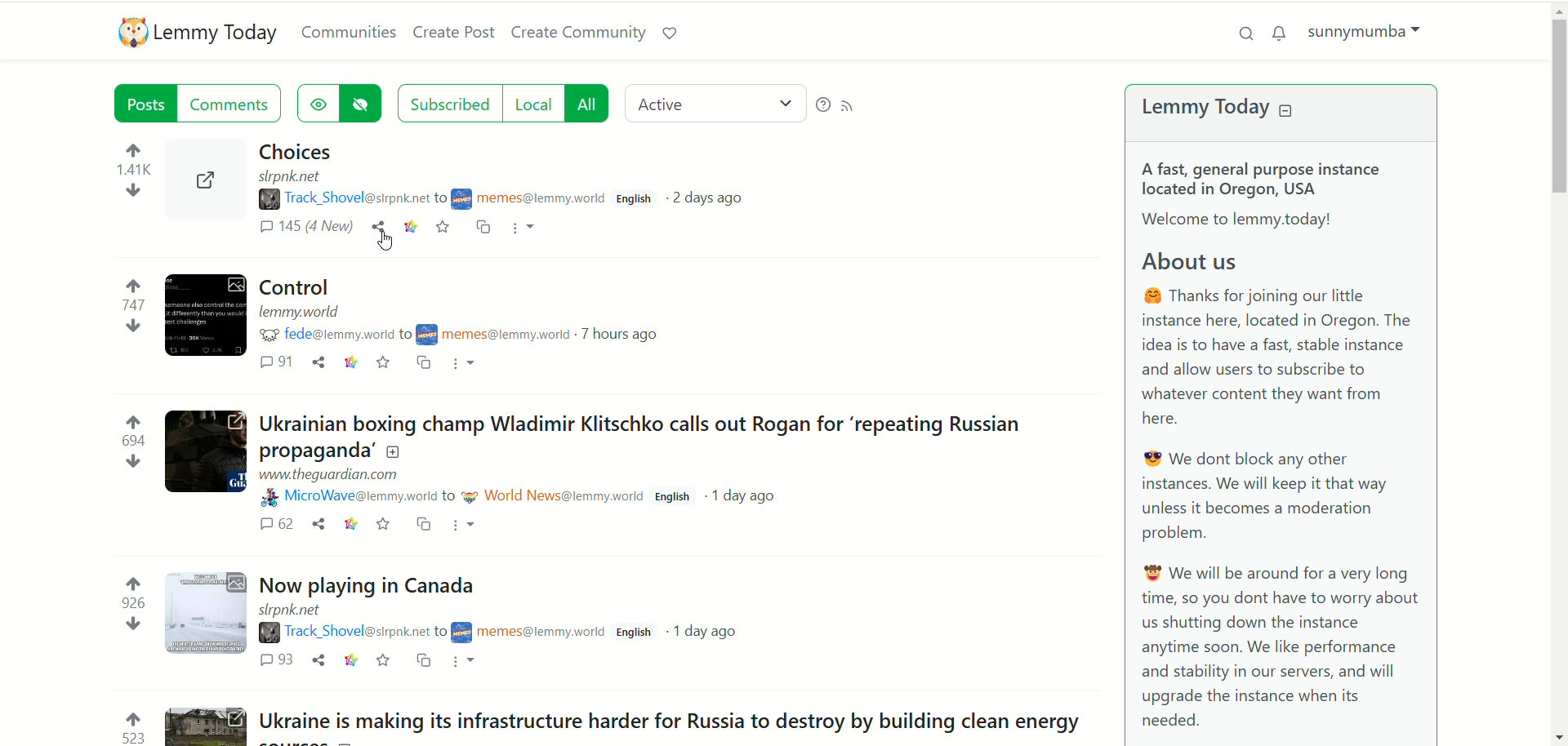  Describe the element at coordinates (385, 363) in the screenshot. I see `save` at that location.